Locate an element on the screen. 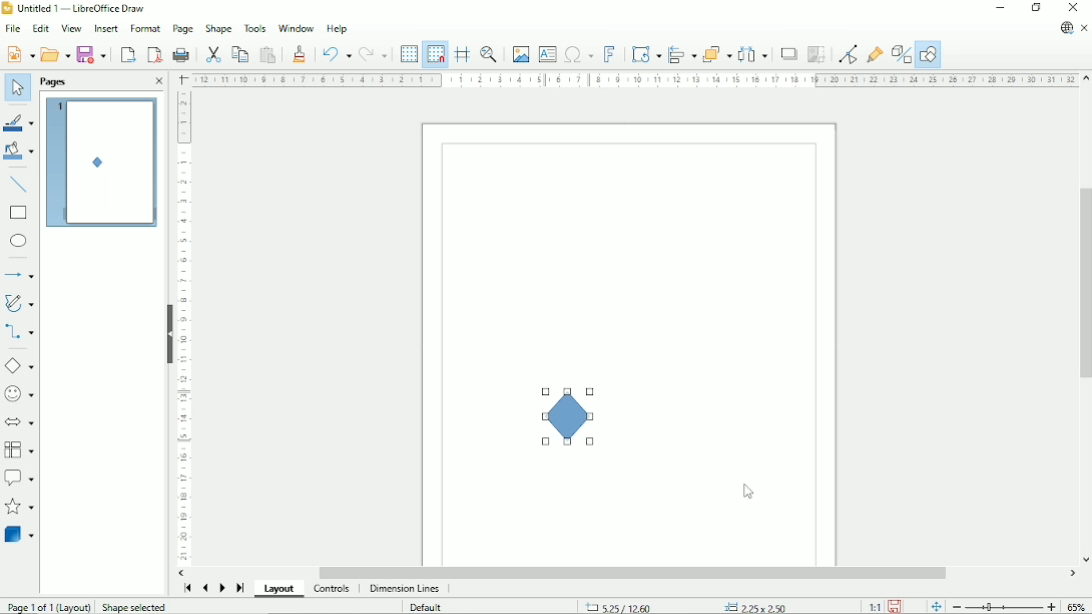 Image resolution: width=1092 pixels, height=614 pixels. Rectangle is located at coordinates (19, 213).